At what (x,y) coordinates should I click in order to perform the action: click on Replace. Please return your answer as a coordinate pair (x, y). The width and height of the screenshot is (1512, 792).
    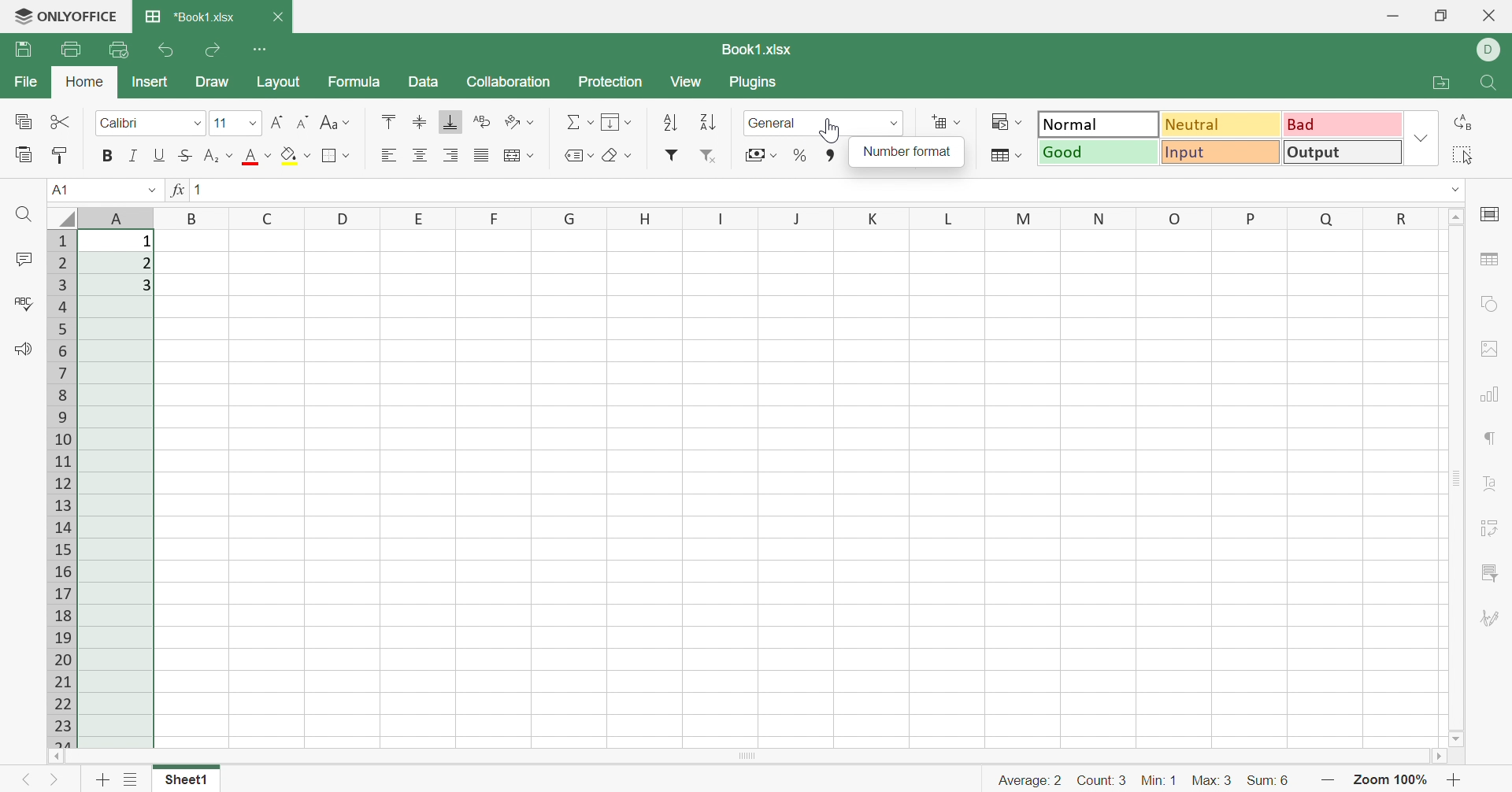
    Looking at the image, I should click on (1461, 123).